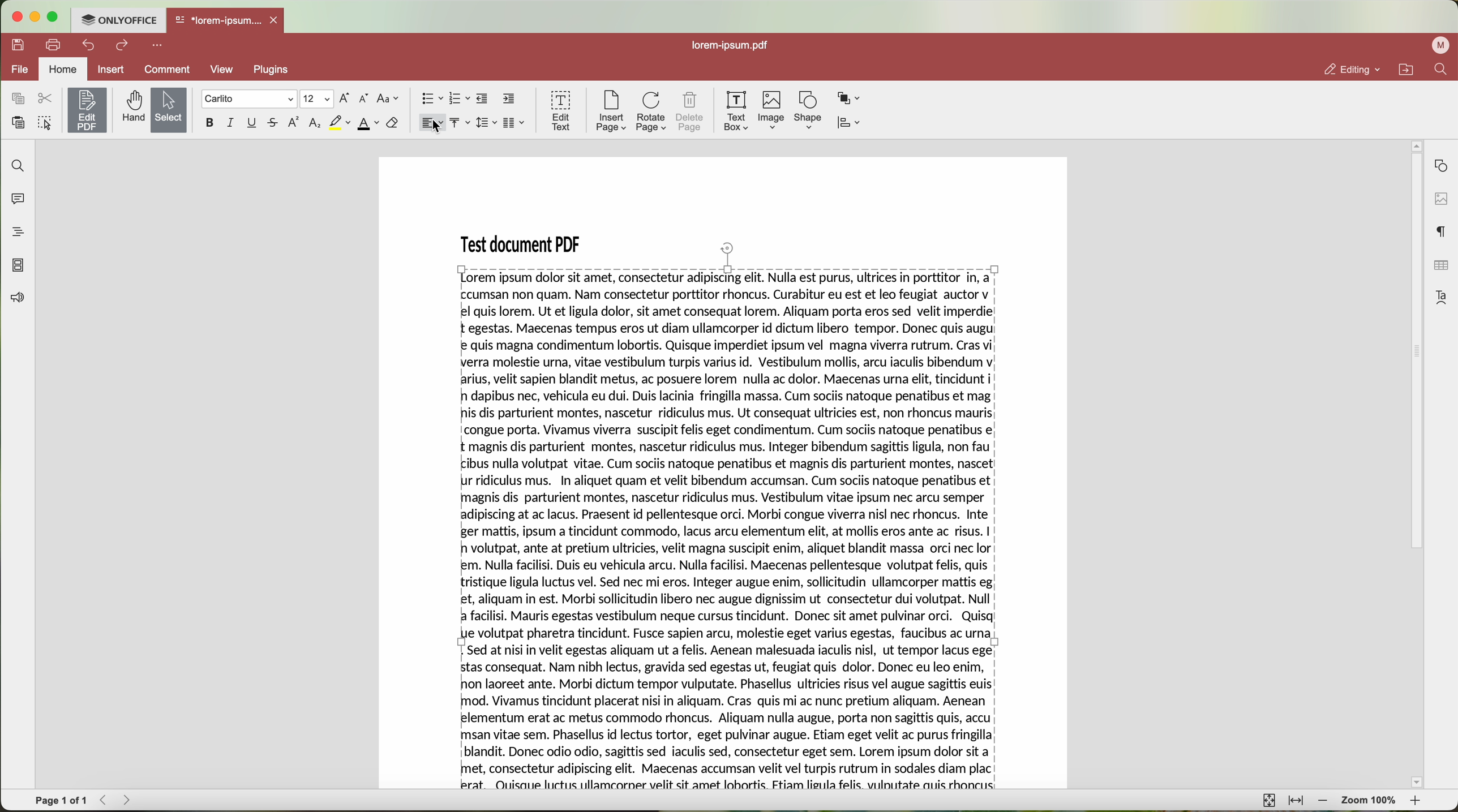  What do you see at coordinates (736, 112) in the screenshot?
I see `text box` at bounding box center [736, 112].